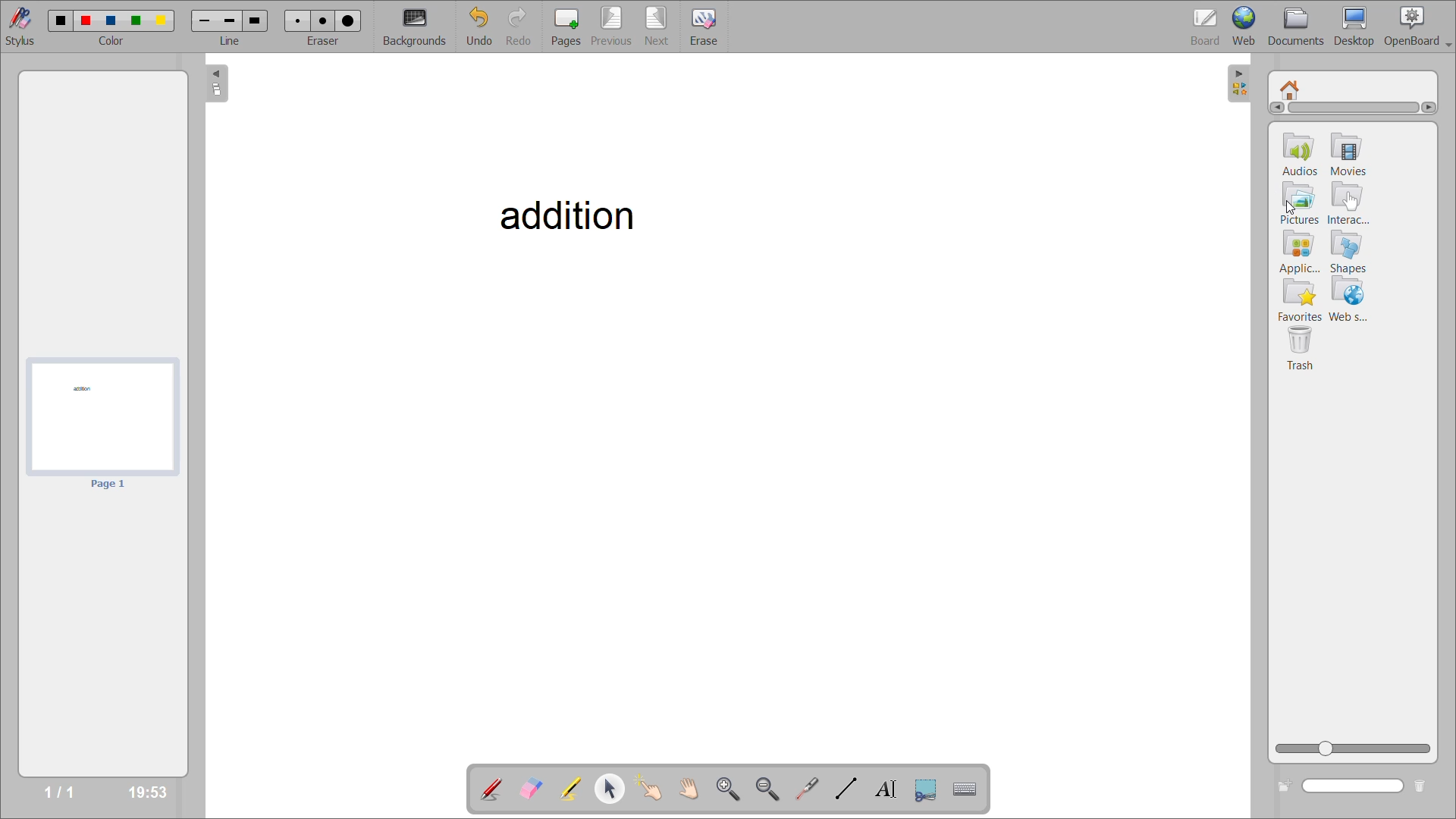  What do you see at coordinates (1355, 787) in the screenshot?
I see `search` at bounding box center [1355, 787].